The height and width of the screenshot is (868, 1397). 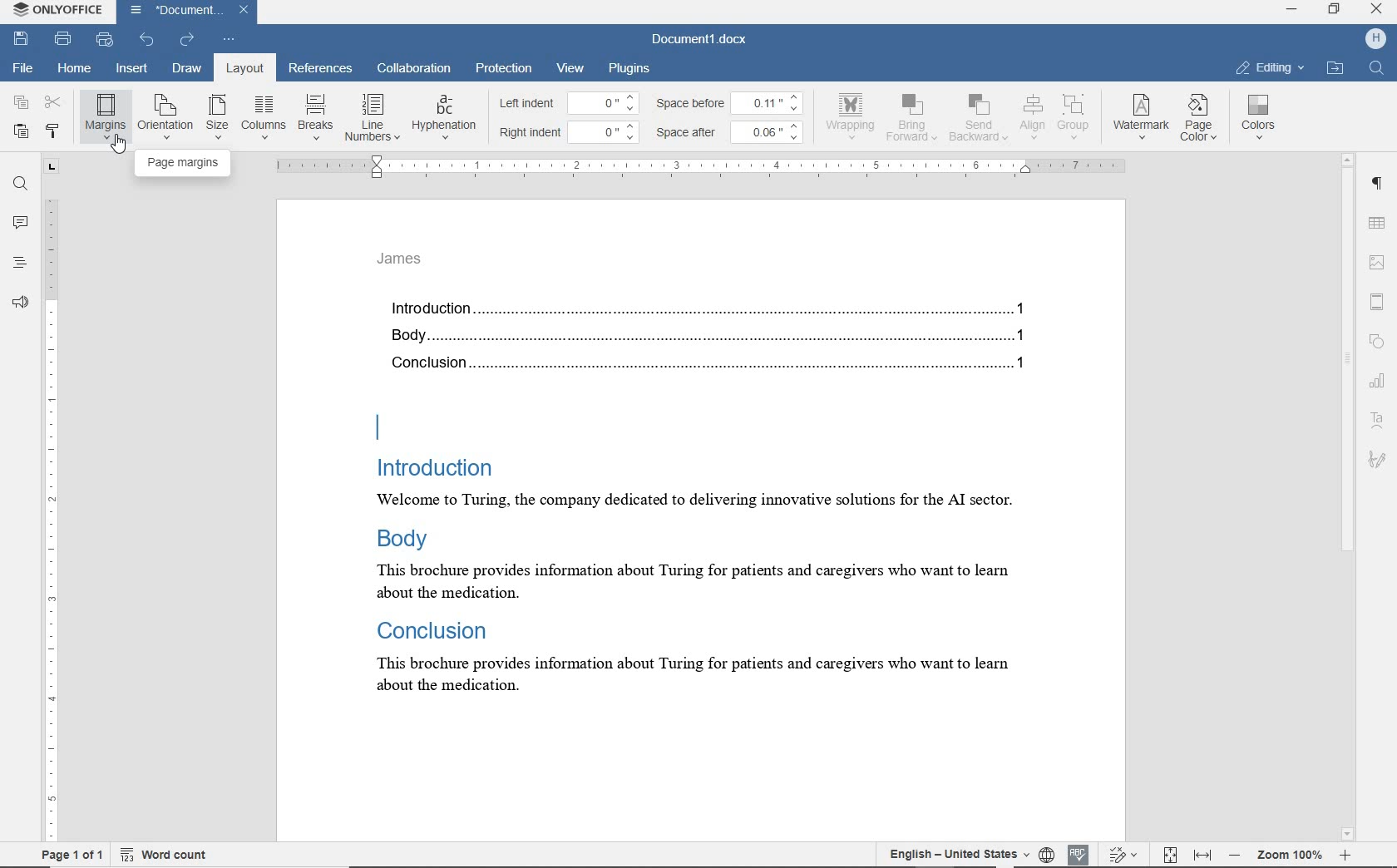 What do you see at coordinates (1338, 67) in the screenshot?
I see `OPEN LINK LOCATION` at bounding box center [1338, 67].